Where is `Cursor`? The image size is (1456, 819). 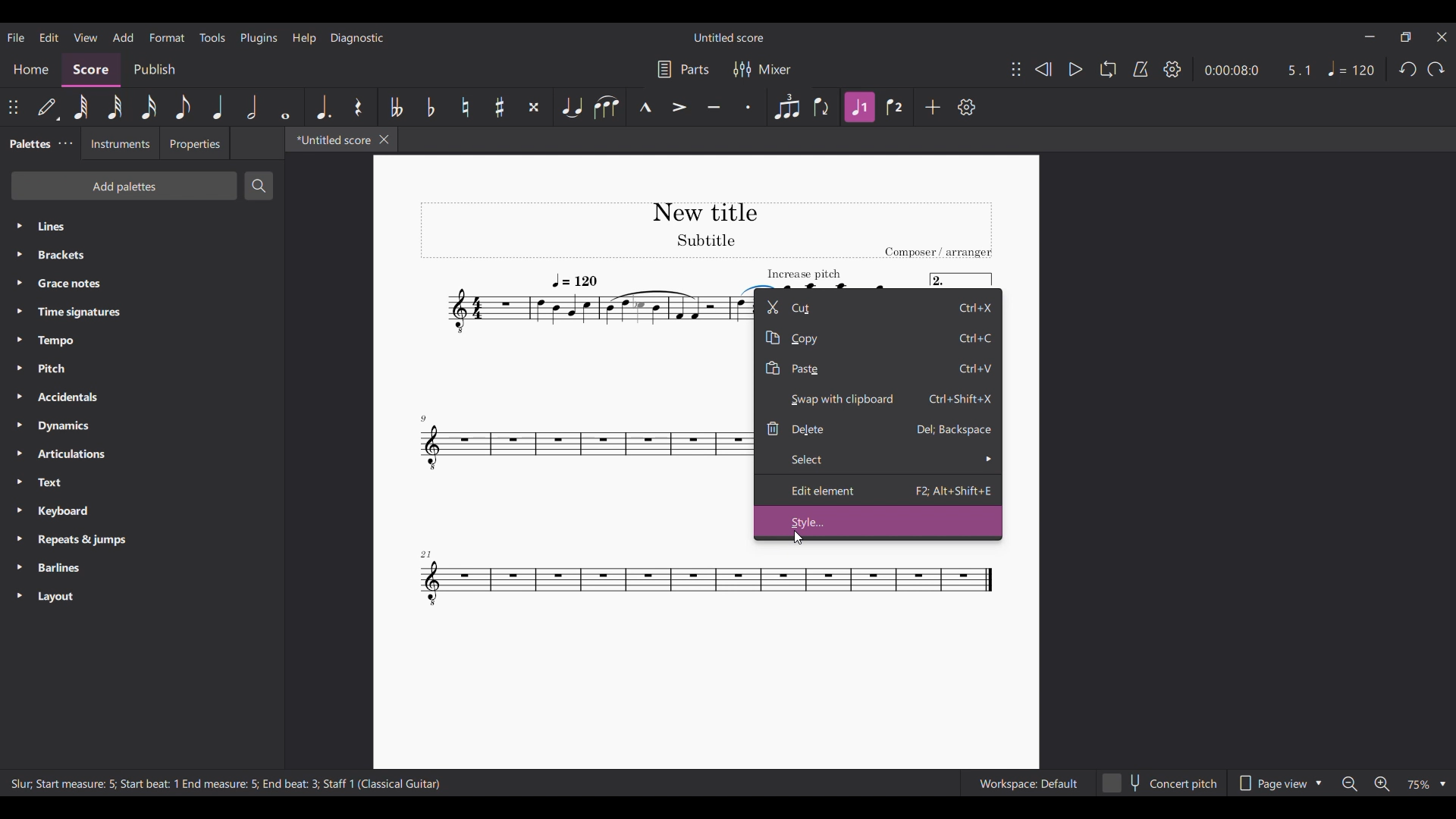 Cursor is located at coordinates (799, 537).